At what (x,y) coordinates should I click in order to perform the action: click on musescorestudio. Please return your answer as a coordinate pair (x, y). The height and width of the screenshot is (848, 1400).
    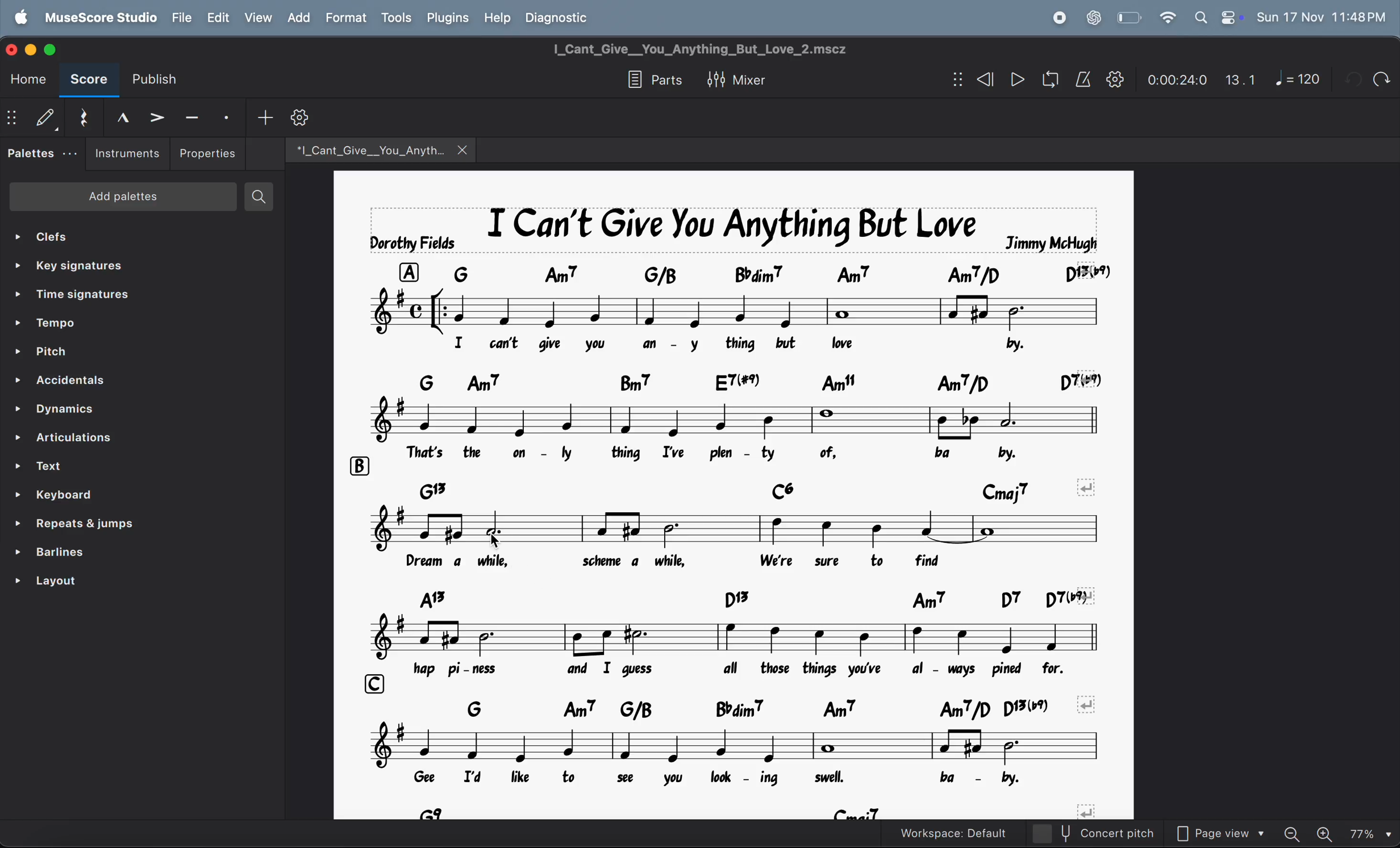
    Looking at the image, I should click on (100, 18).